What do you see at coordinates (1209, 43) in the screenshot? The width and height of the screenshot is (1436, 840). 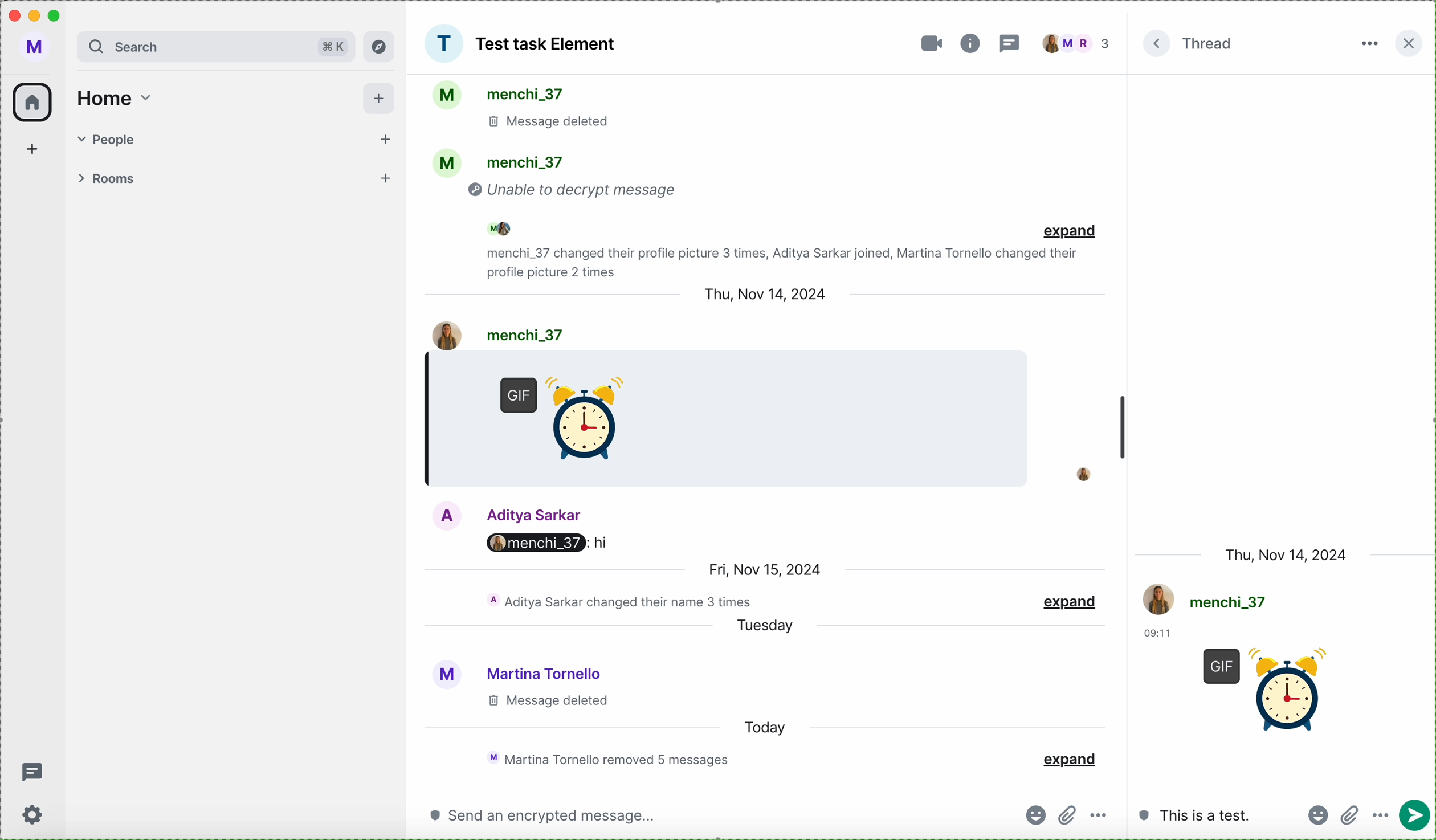 I see `thread` at bounding box center [1209, 43].